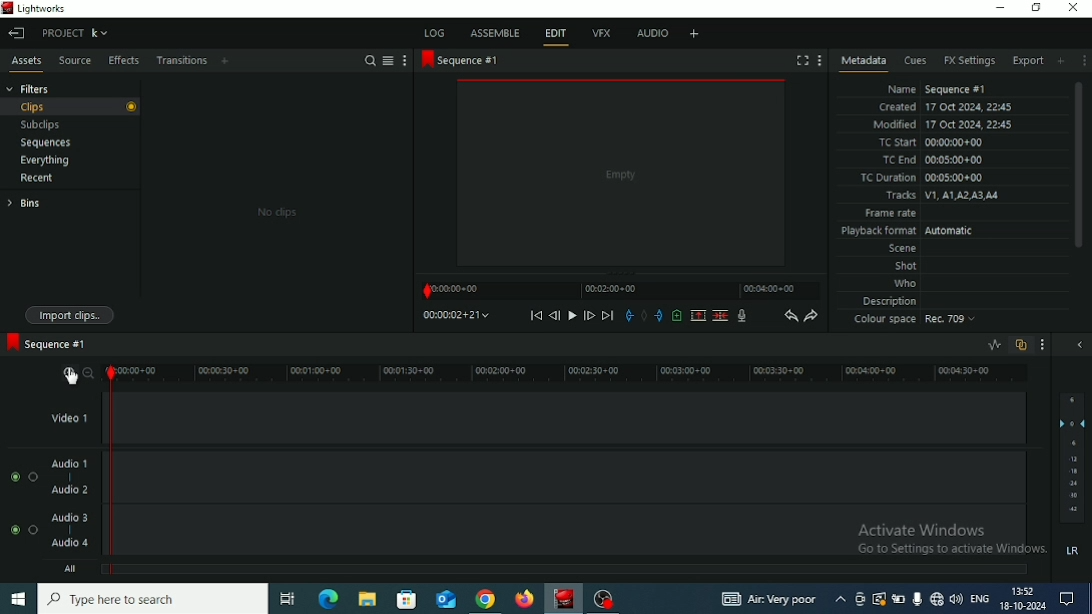 The height and width of the screenshot is (614, 1092). Describe the element at coordinates (388, 61) in the screenshot. I see `Toggle between list and tile view` at that location.